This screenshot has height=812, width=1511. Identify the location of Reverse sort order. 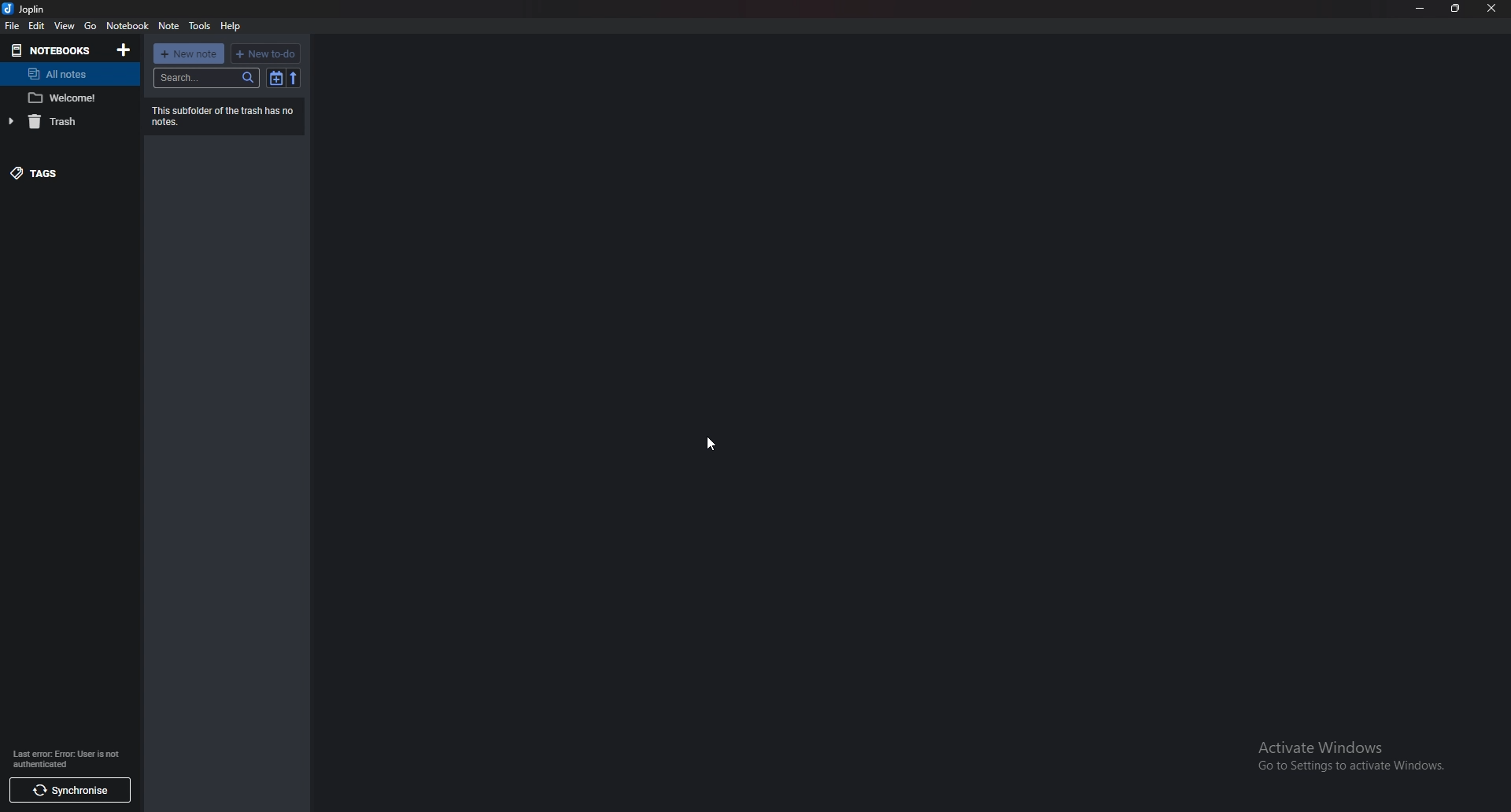
(293, 78).